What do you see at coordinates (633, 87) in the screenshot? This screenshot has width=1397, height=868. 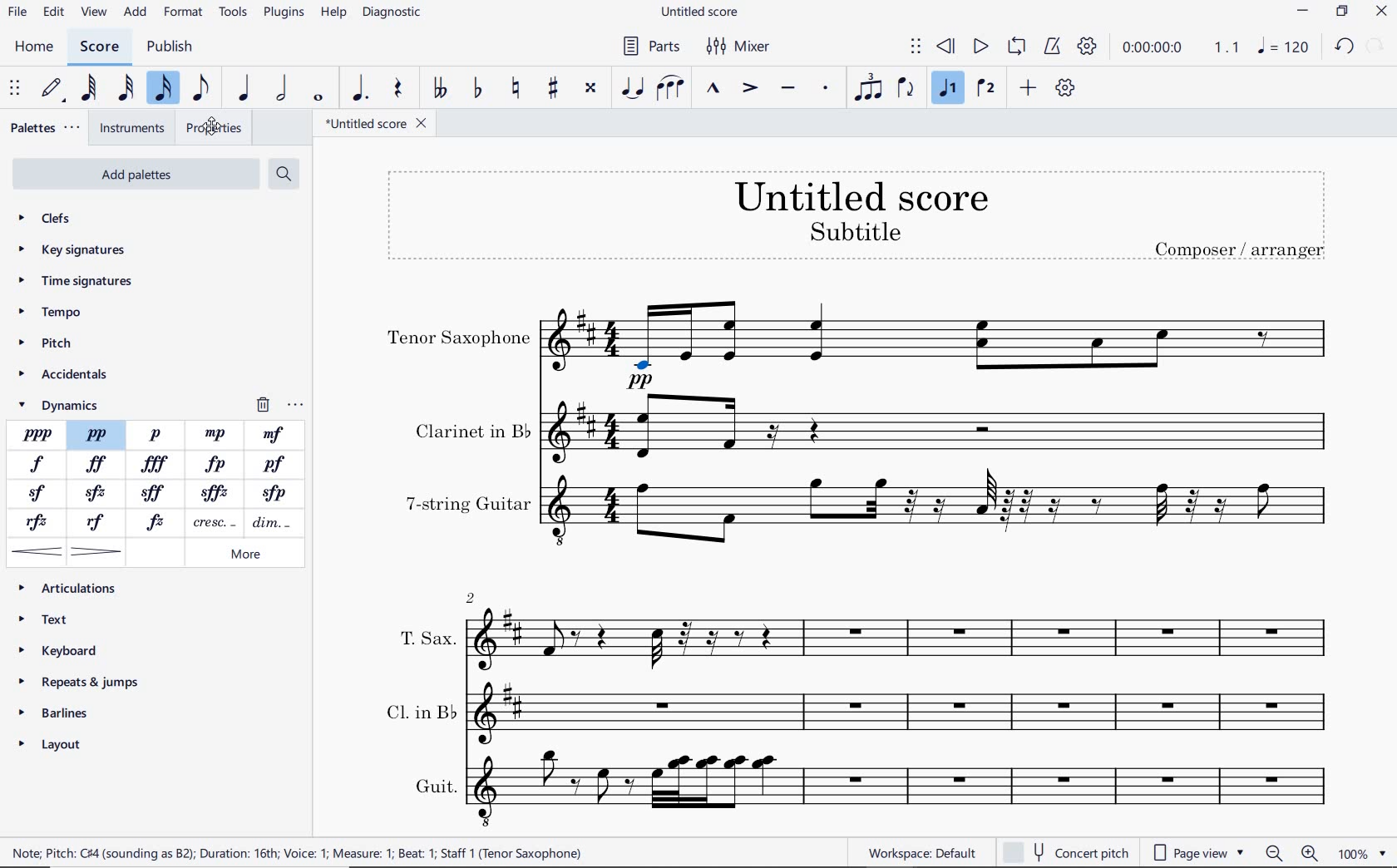 I see `TIE` at bounding box center [633, 87].